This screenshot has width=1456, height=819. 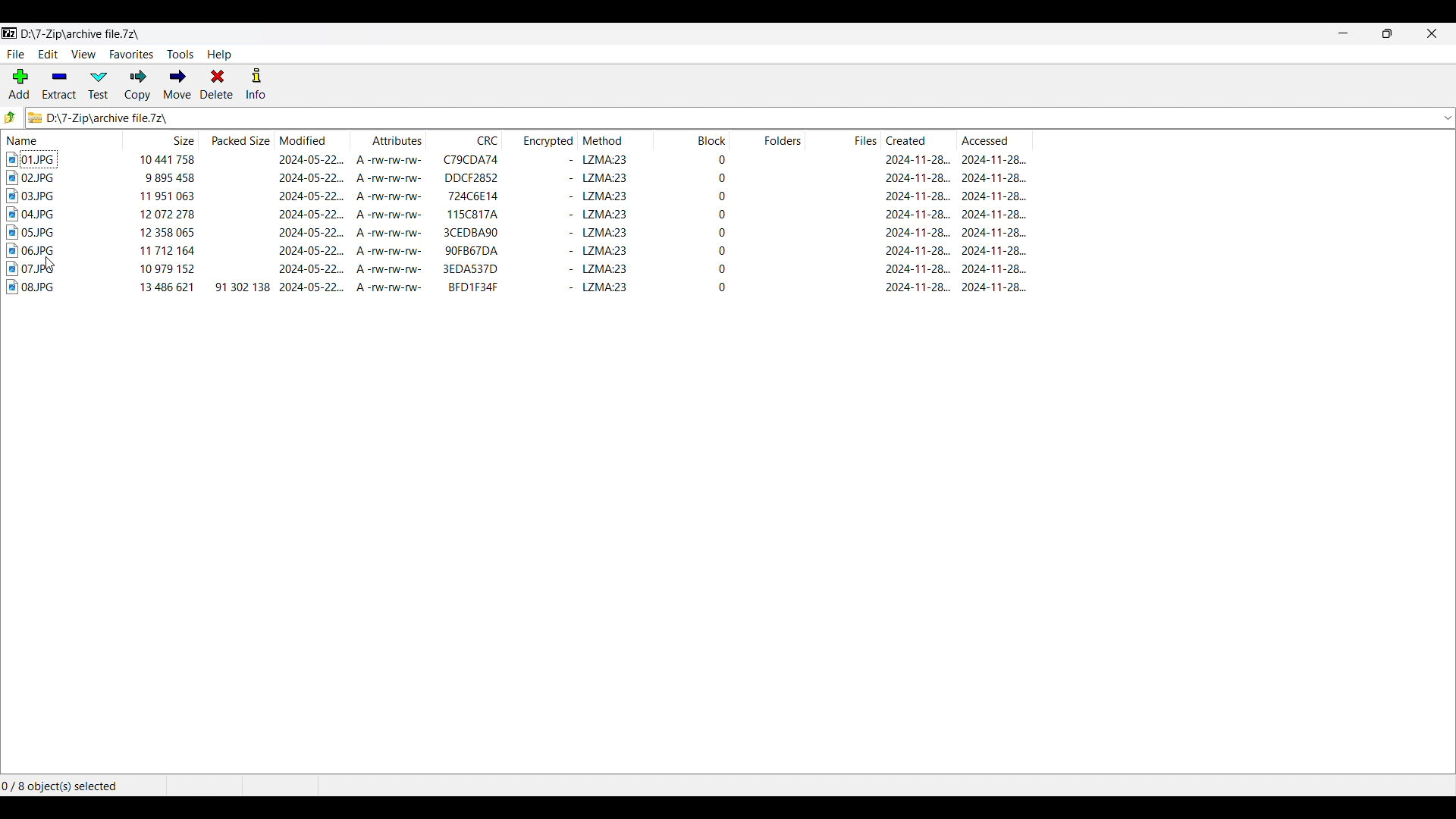 I want to click on size, so click(x=167, y=287).